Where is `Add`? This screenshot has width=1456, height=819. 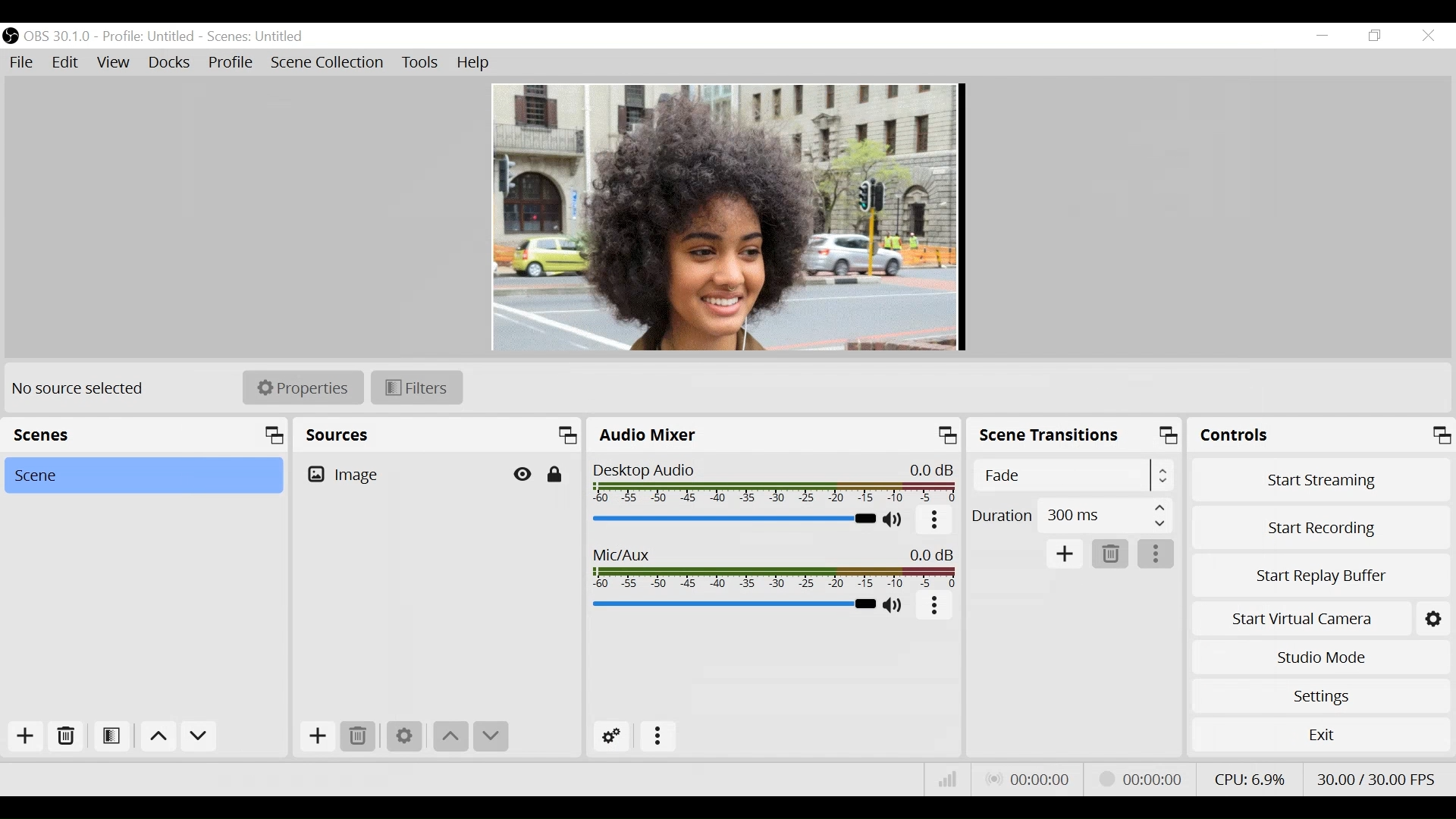
Add is located at coordinates (317, 736).